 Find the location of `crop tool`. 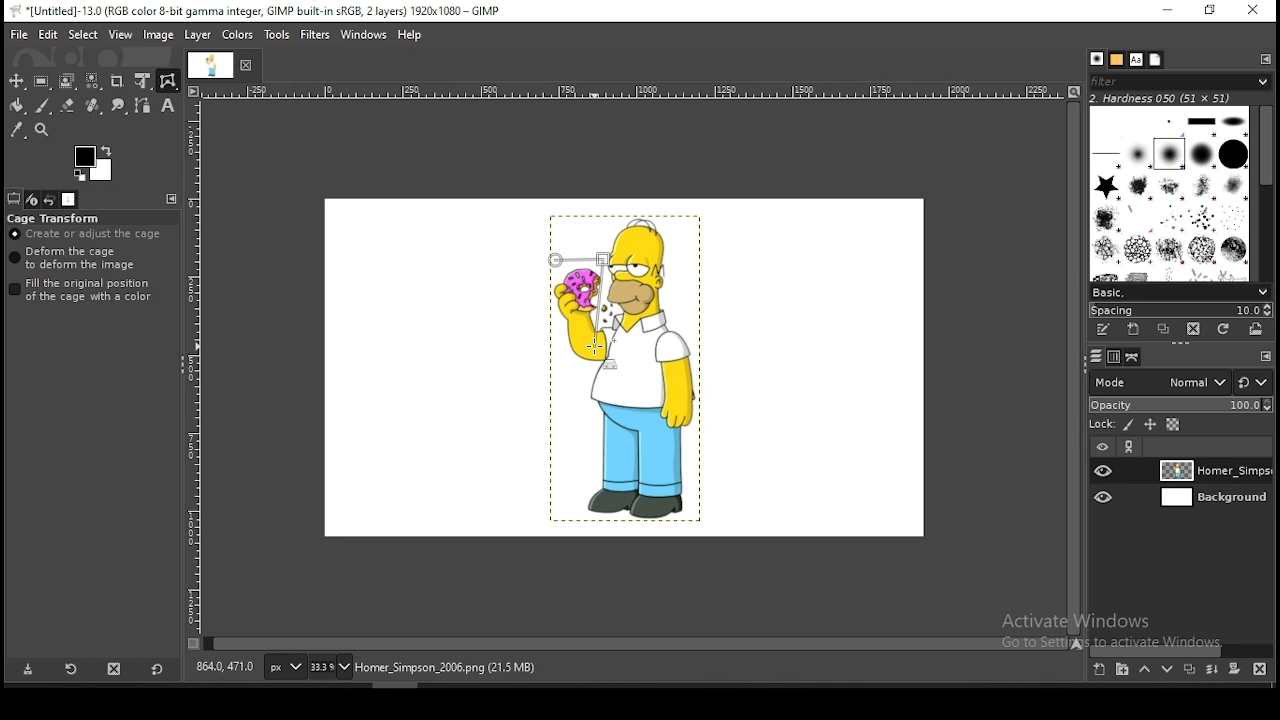

crop tool is located at coordinates (119, 81).